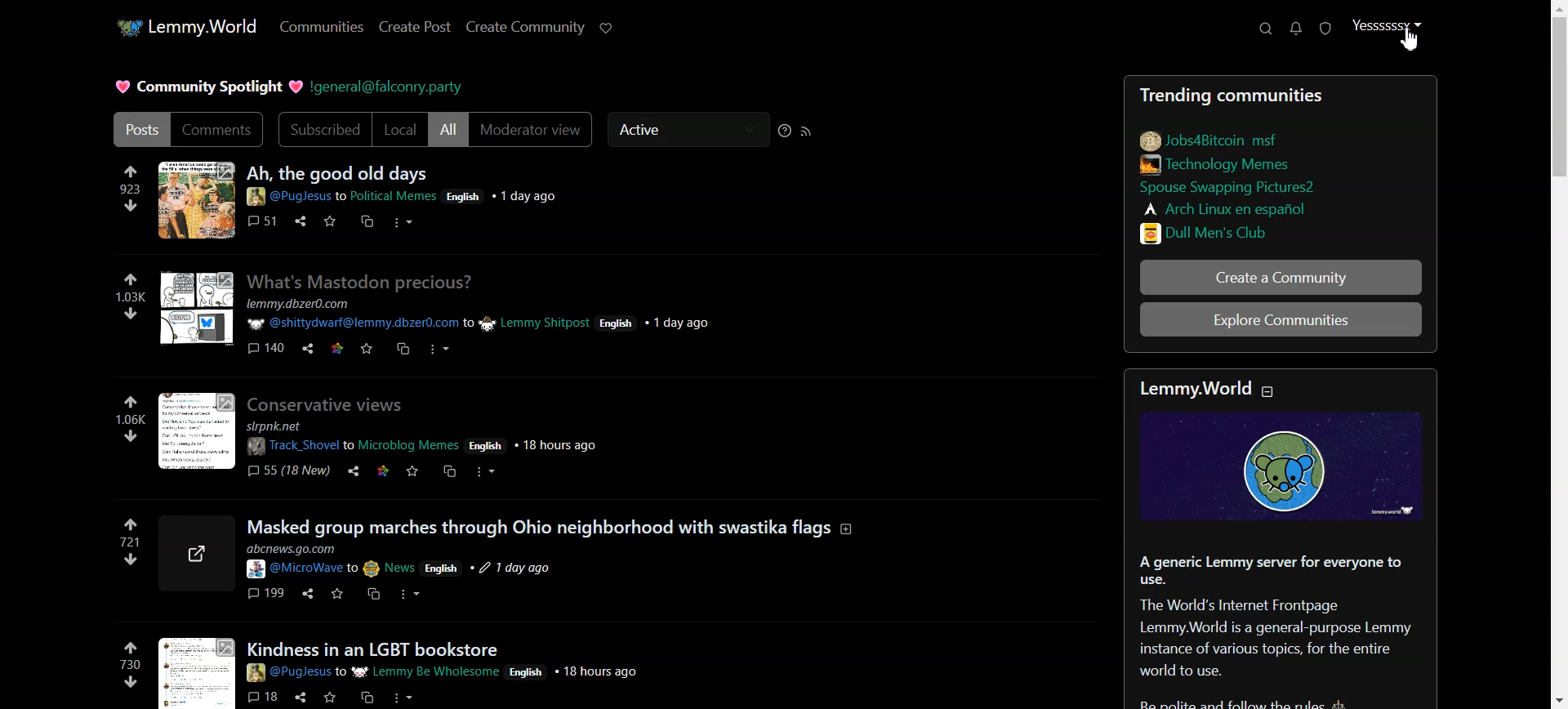 The height and width of the screenshot is (709, 1568). Describe the element at coordinates (133, 171) in the screenshot. I see `upvote` at that location.